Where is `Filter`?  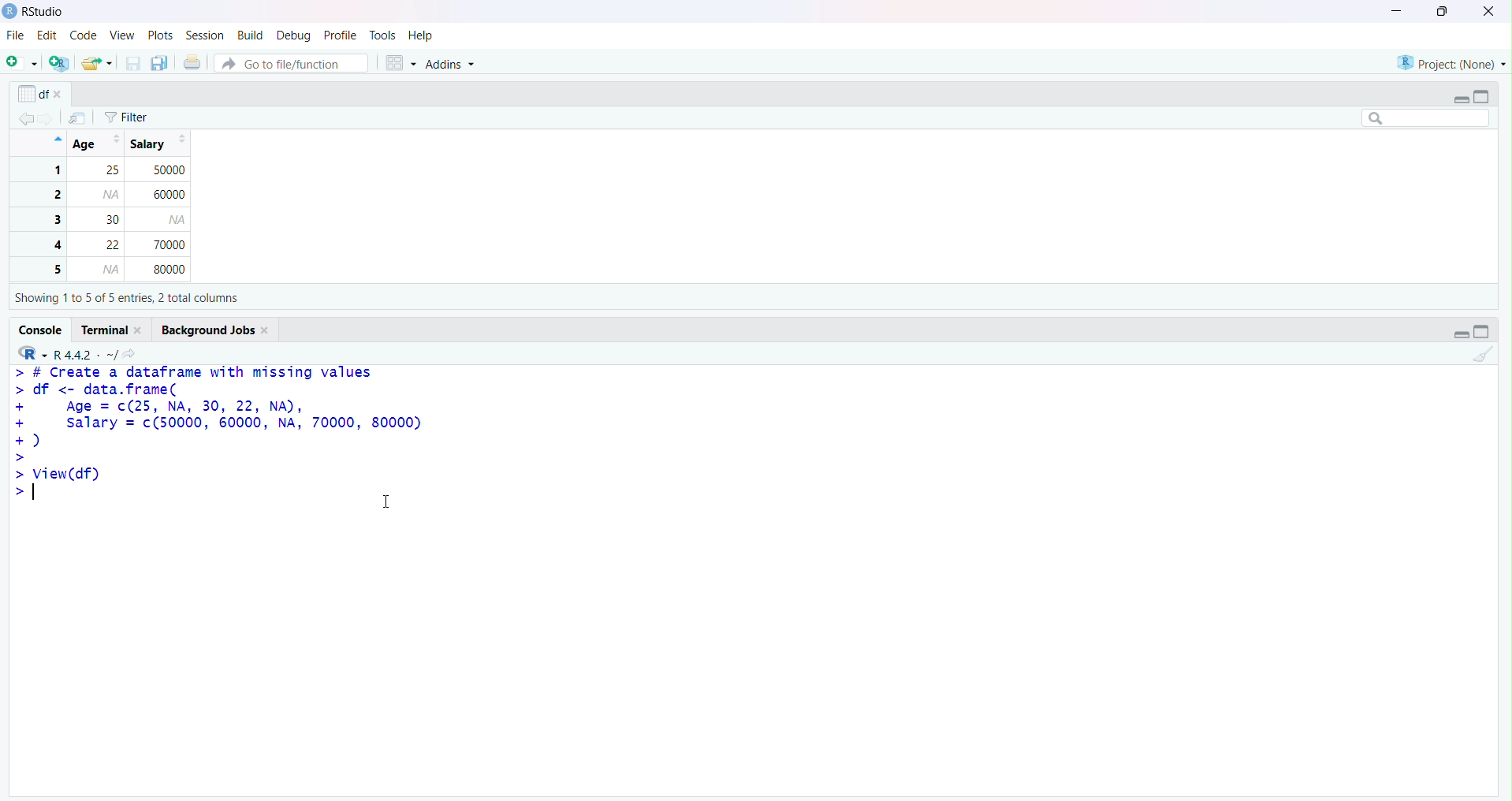
Filter is located at coordinates (128, 115).